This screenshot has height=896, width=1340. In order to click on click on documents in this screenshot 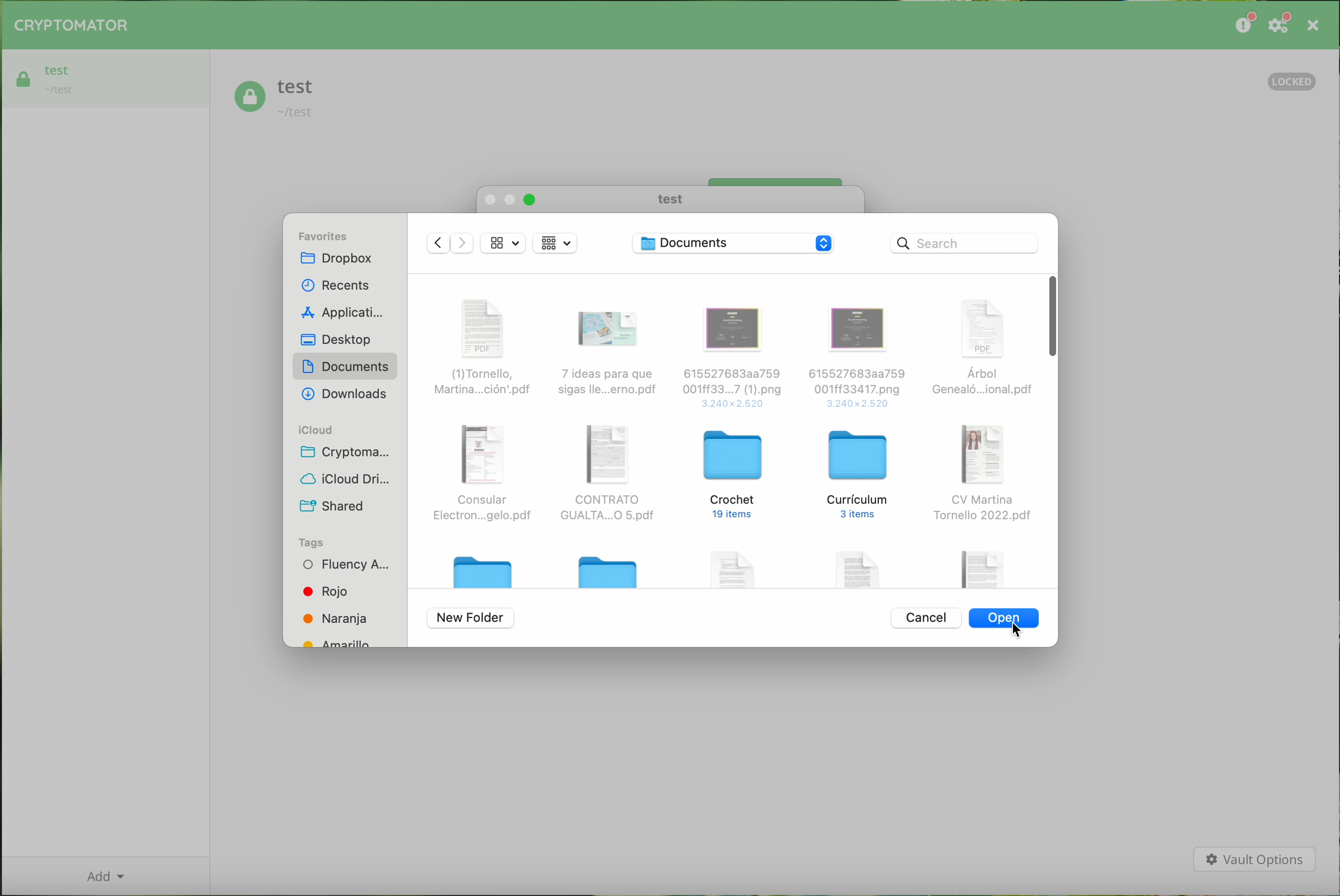, I will do `click(345, 369)`.